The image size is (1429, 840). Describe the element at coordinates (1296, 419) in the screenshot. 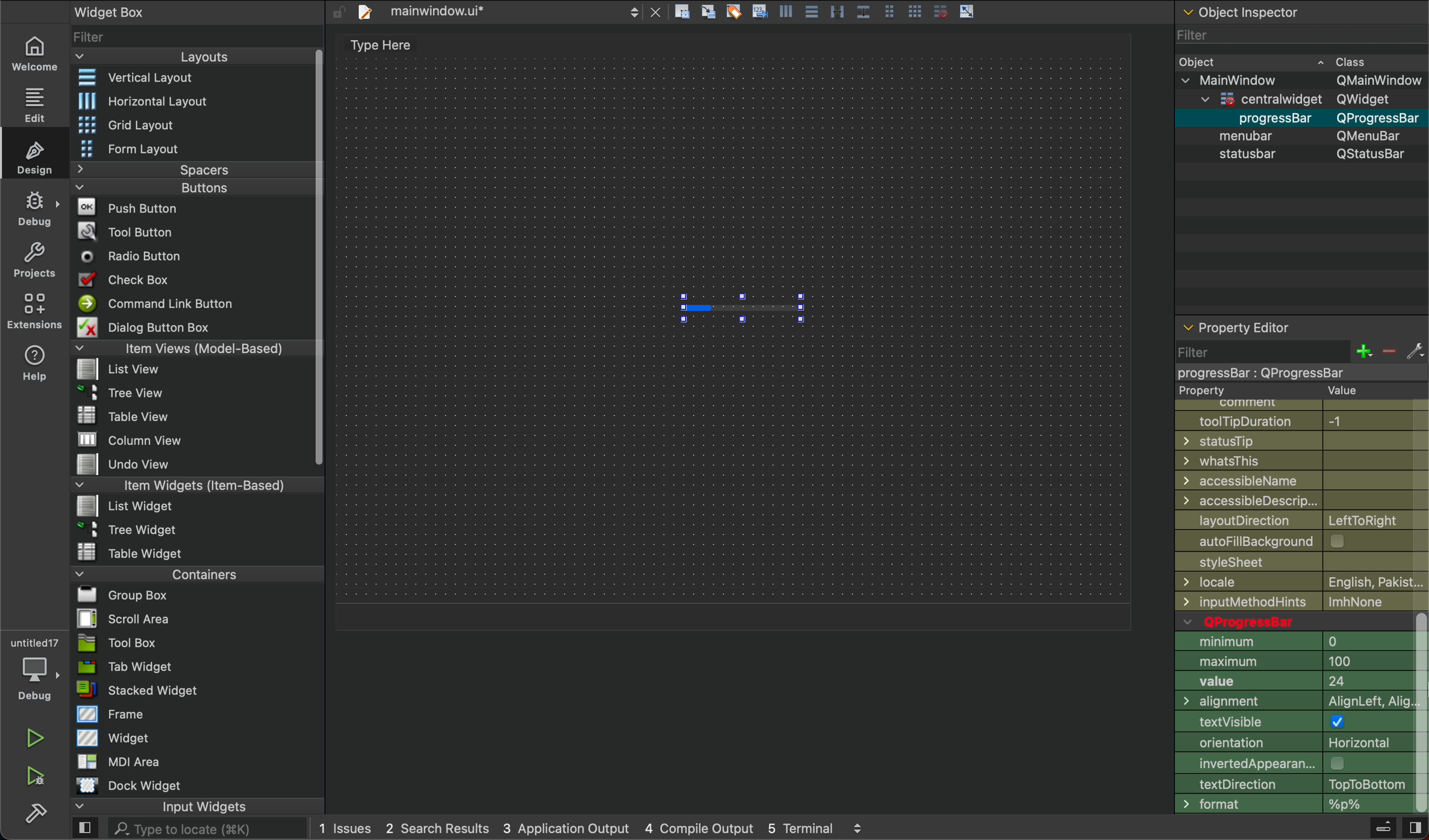

I see `tooltip duration` at that location.